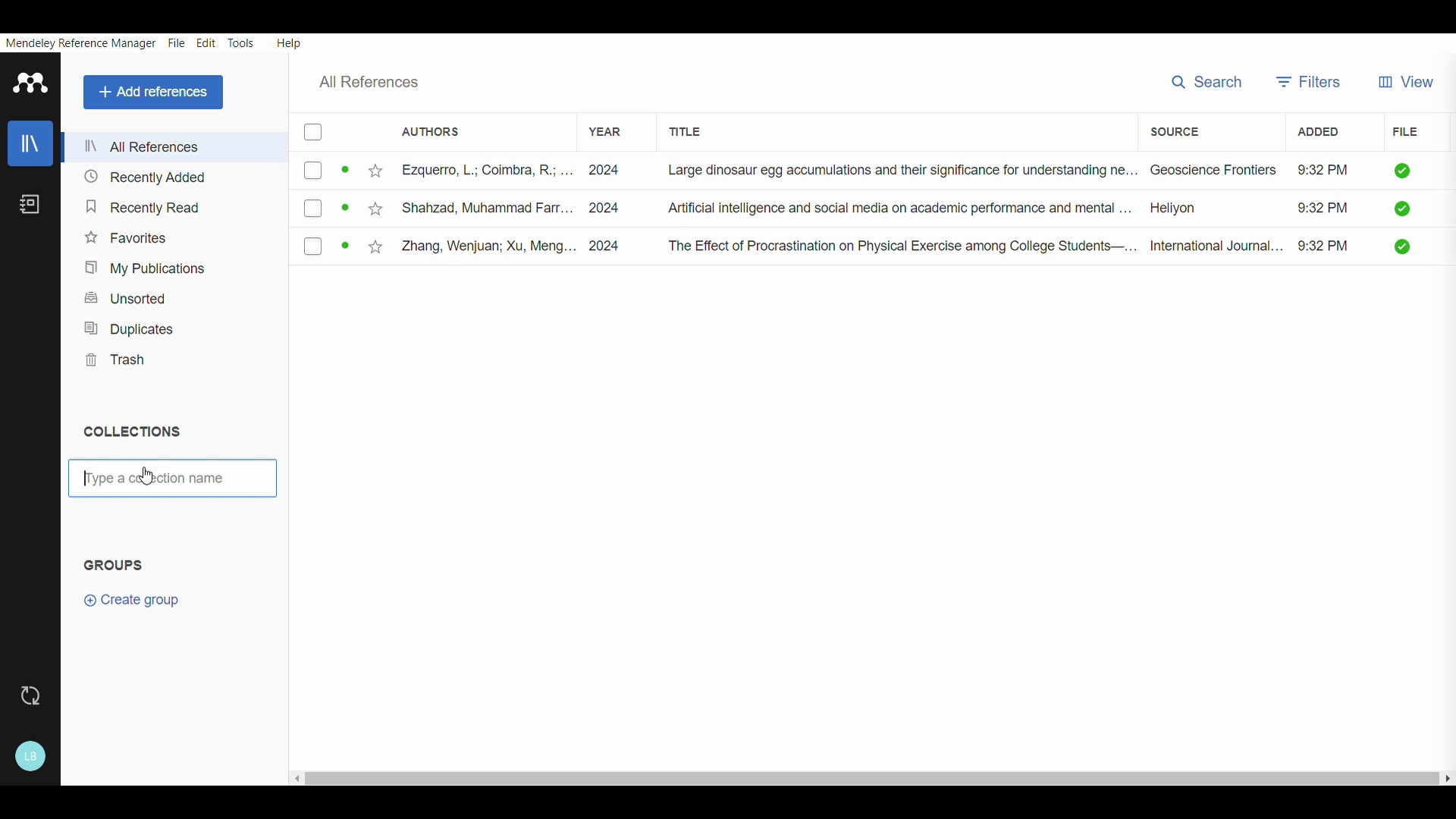  I want to click on Scrollbar, so click(869, 774).